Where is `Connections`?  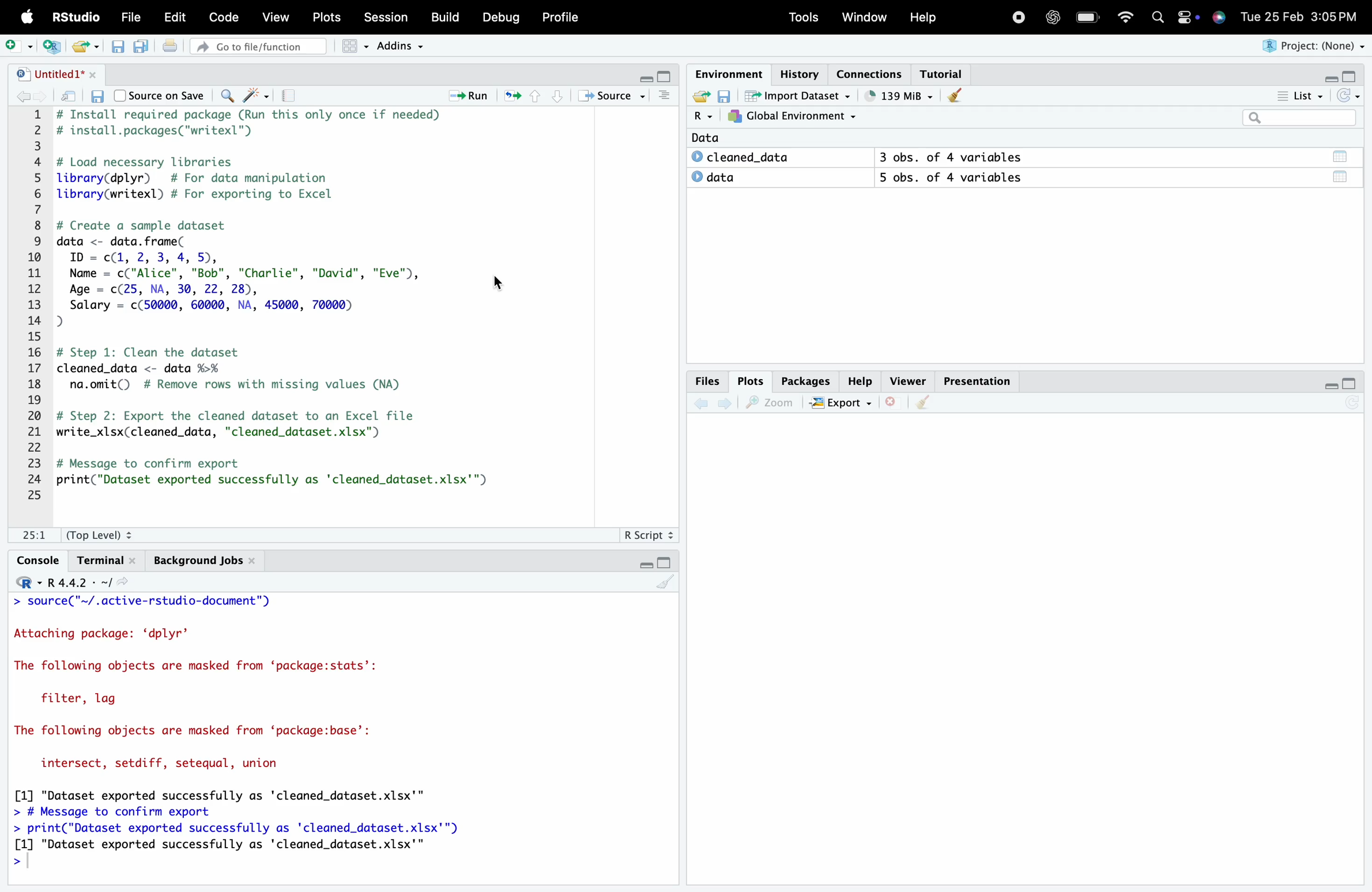
Connections is located at coordinates (873, 74).